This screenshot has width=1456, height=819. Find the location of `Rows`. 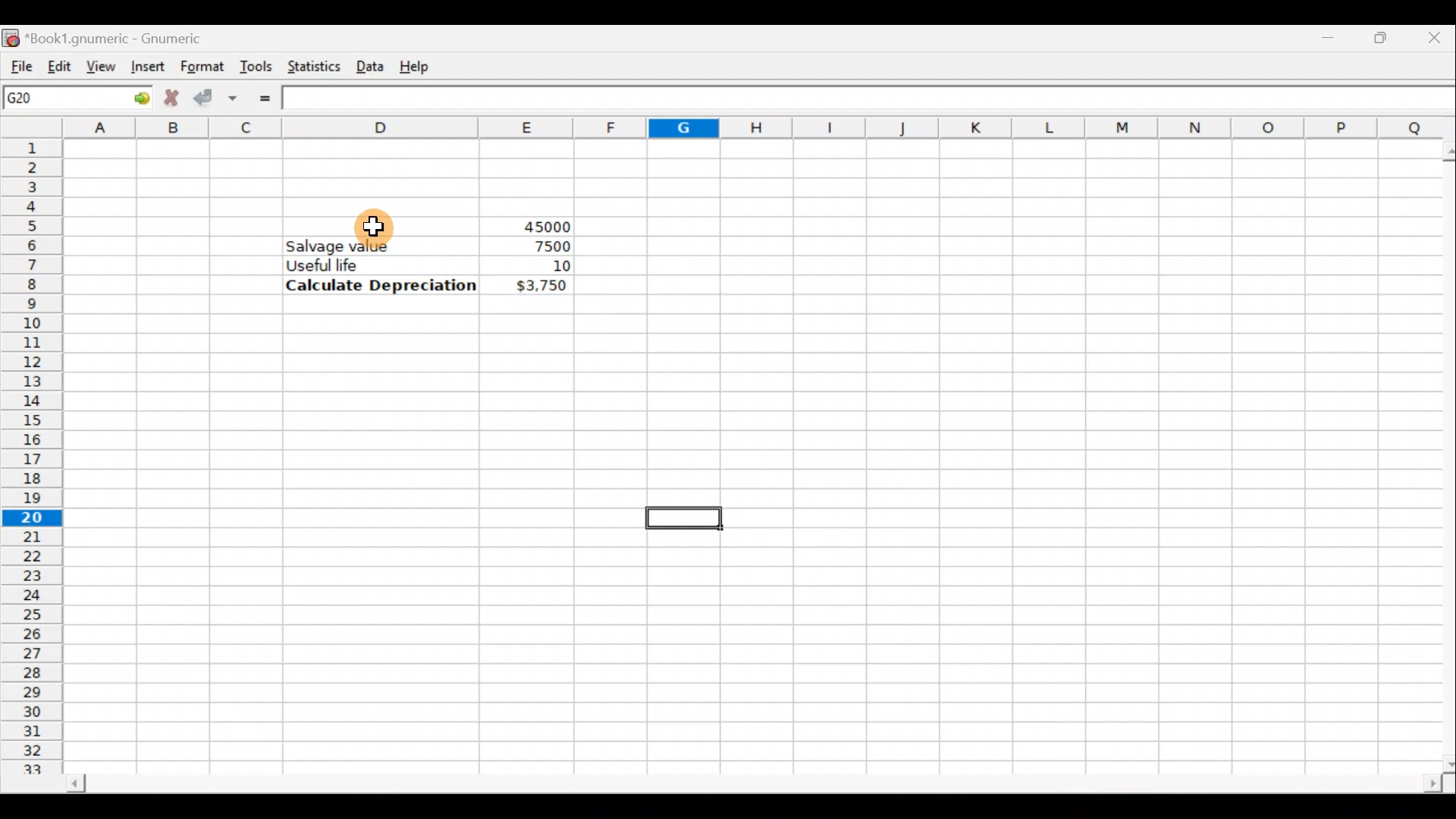

Rows is located at coordinates (33, 448).